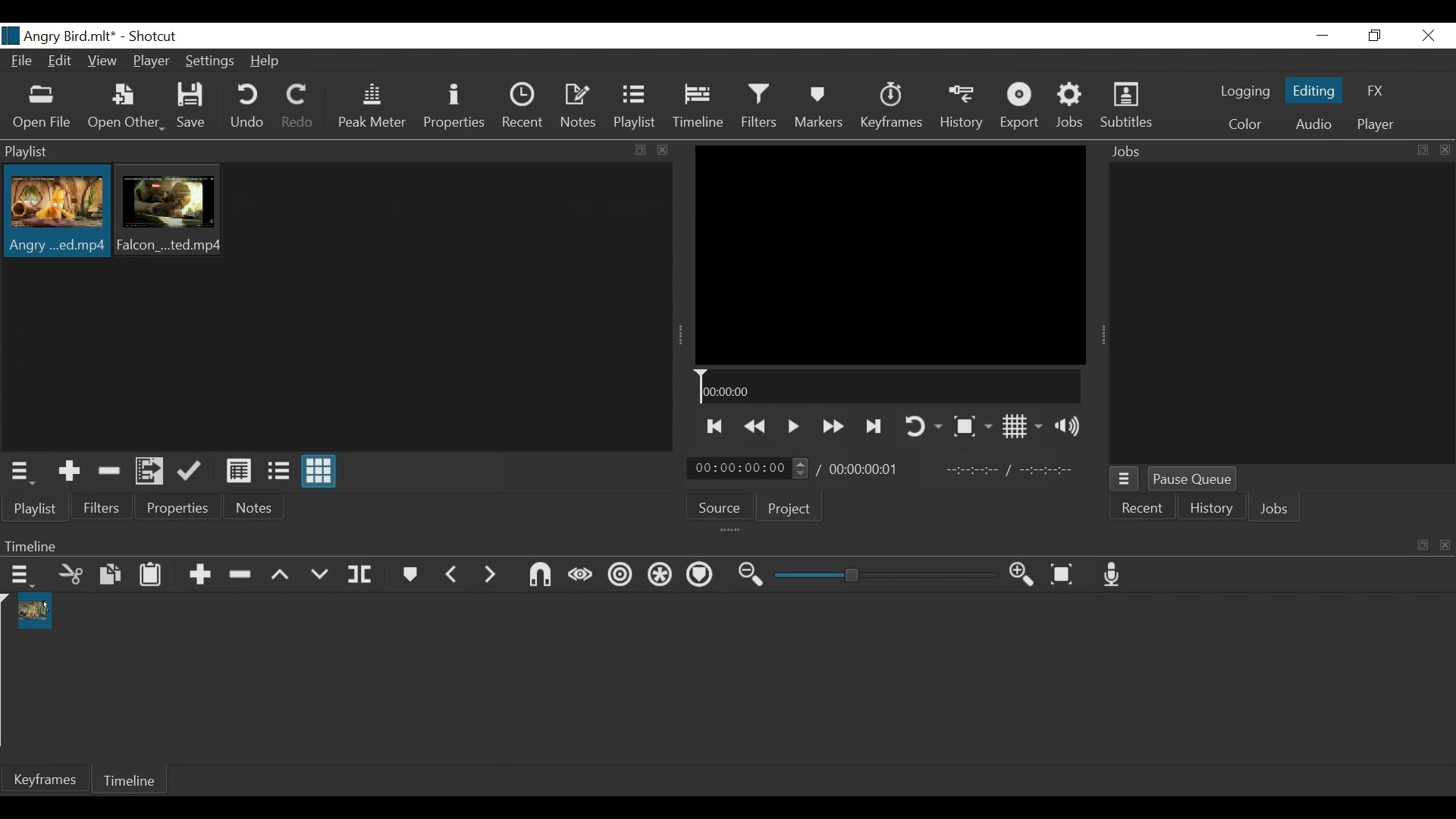 Image resolution: width=1456 pixels, height=819 pixels. What do you see at coordinates (411, 576) in the screenshot?
I see `Markers` at bounding box center [411, 576].